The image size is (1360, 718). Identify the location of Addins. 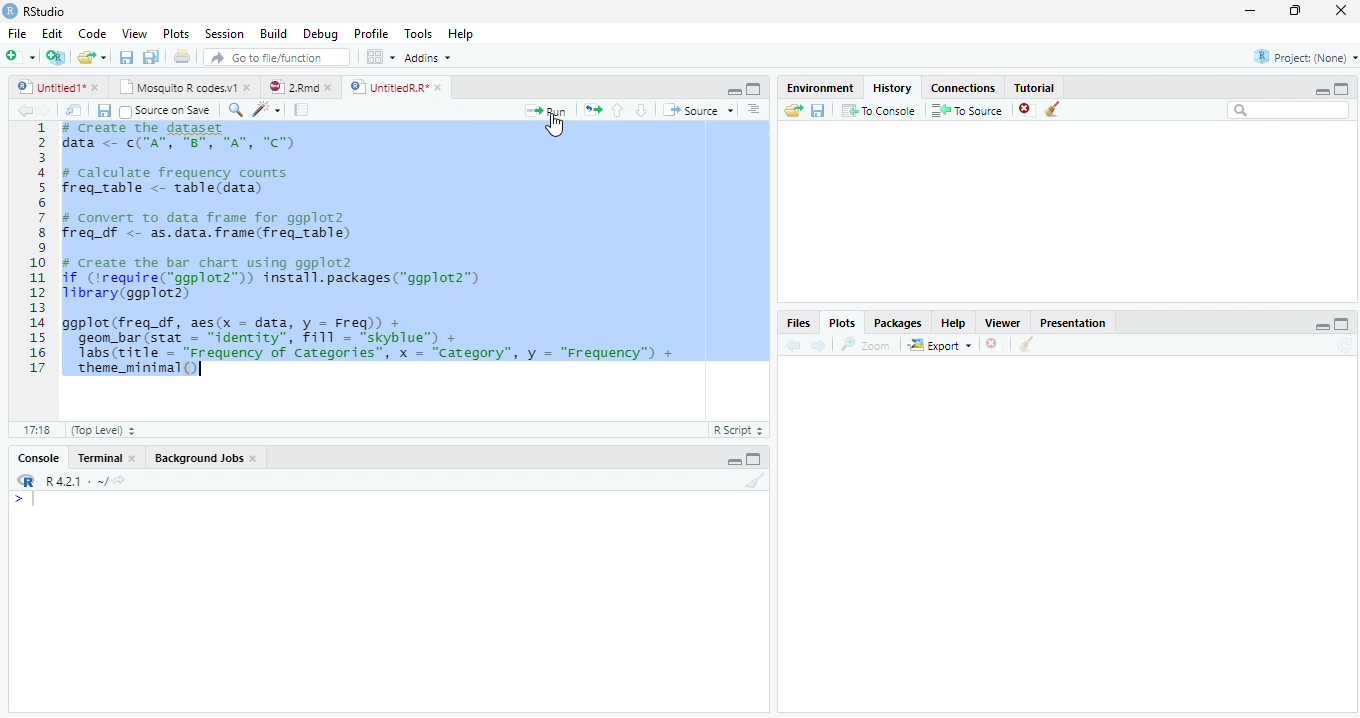
(430, 58).